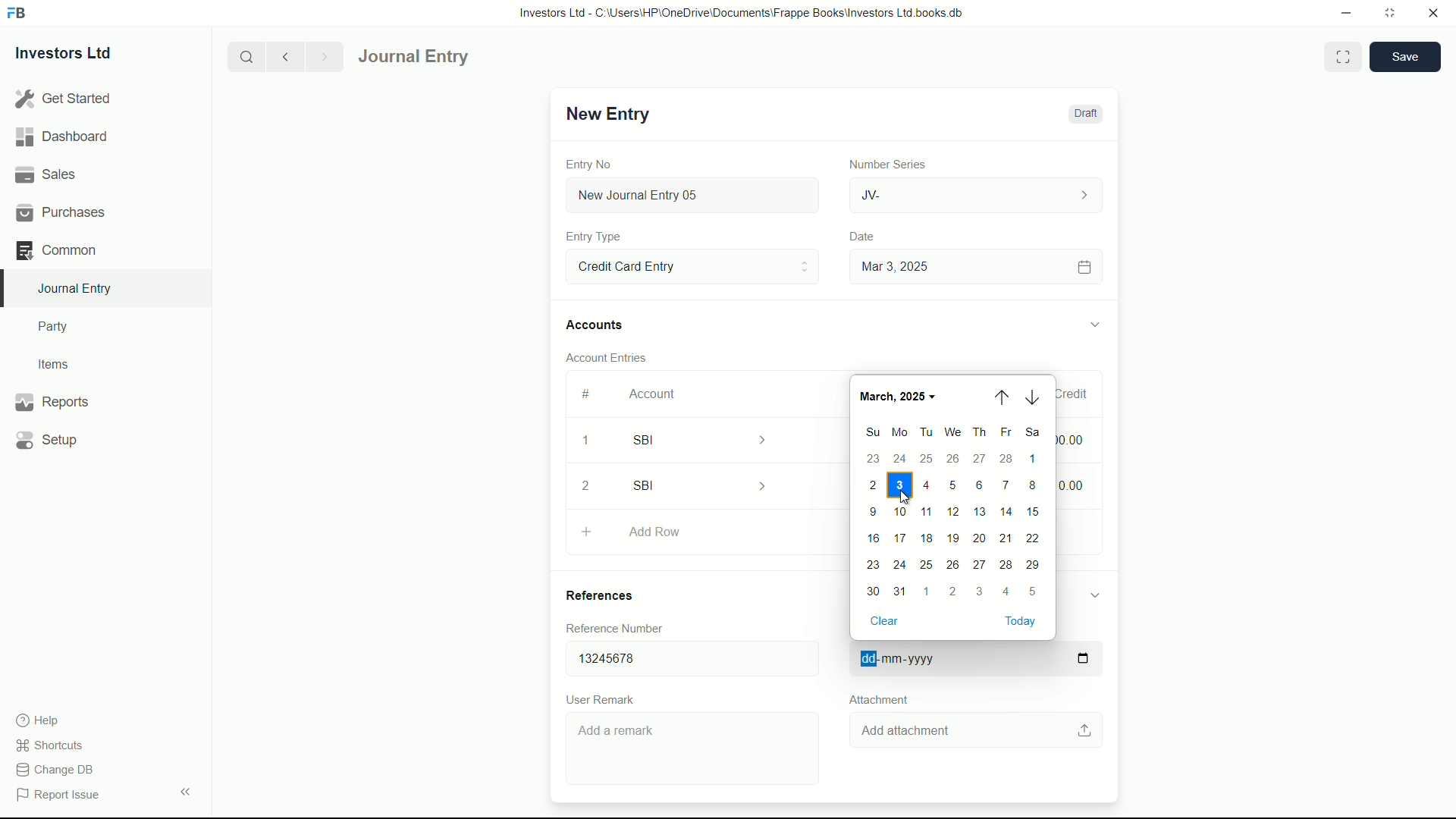 This screenshot has width=1456, height=819. What do you see at coordinates (700, 534) in the screenshot?
I see `Add Row` at bounding box center [700, 534].